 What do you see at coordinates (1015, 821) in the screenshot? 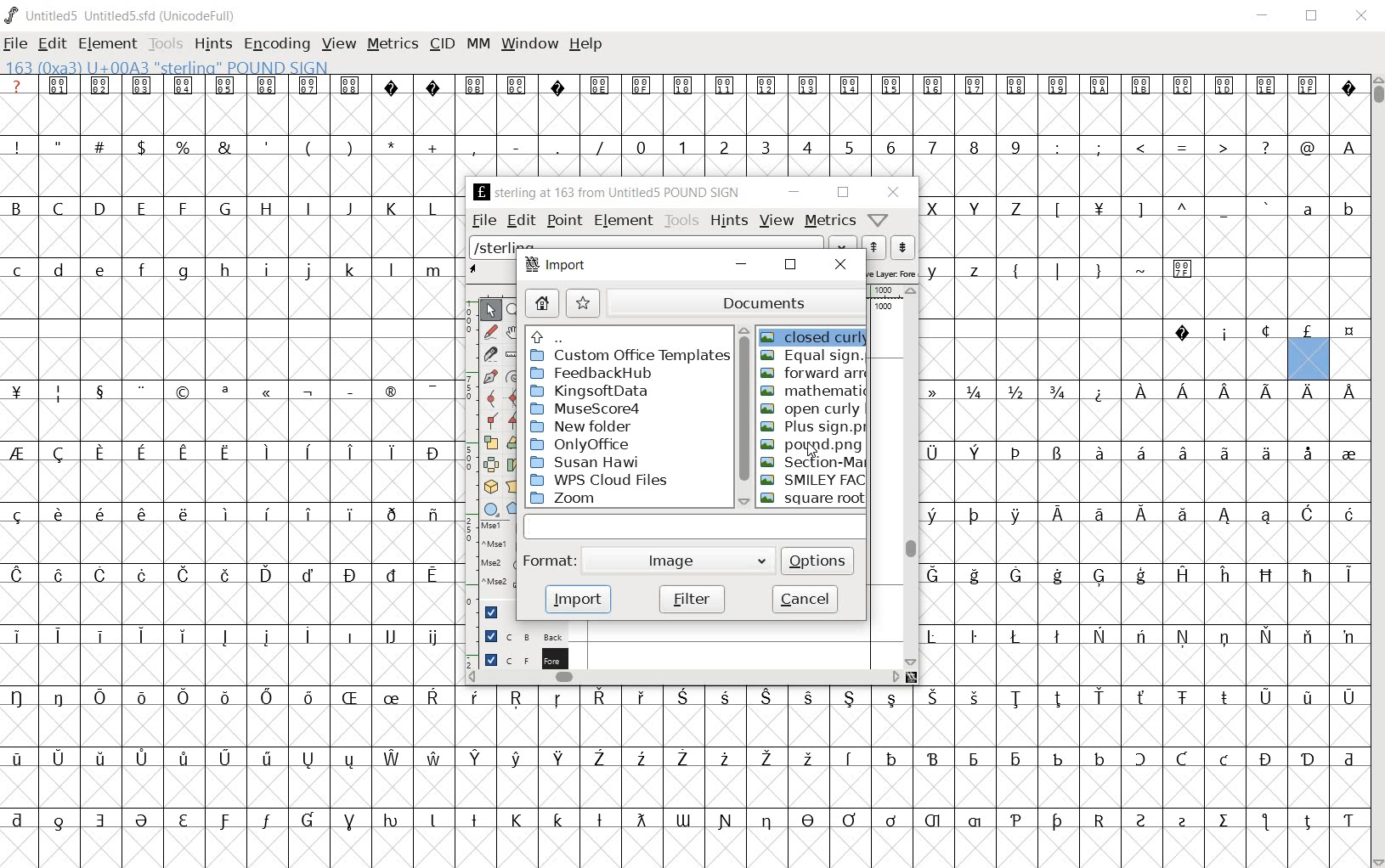
I see `Symbol` at bounding box center [1015, 821].